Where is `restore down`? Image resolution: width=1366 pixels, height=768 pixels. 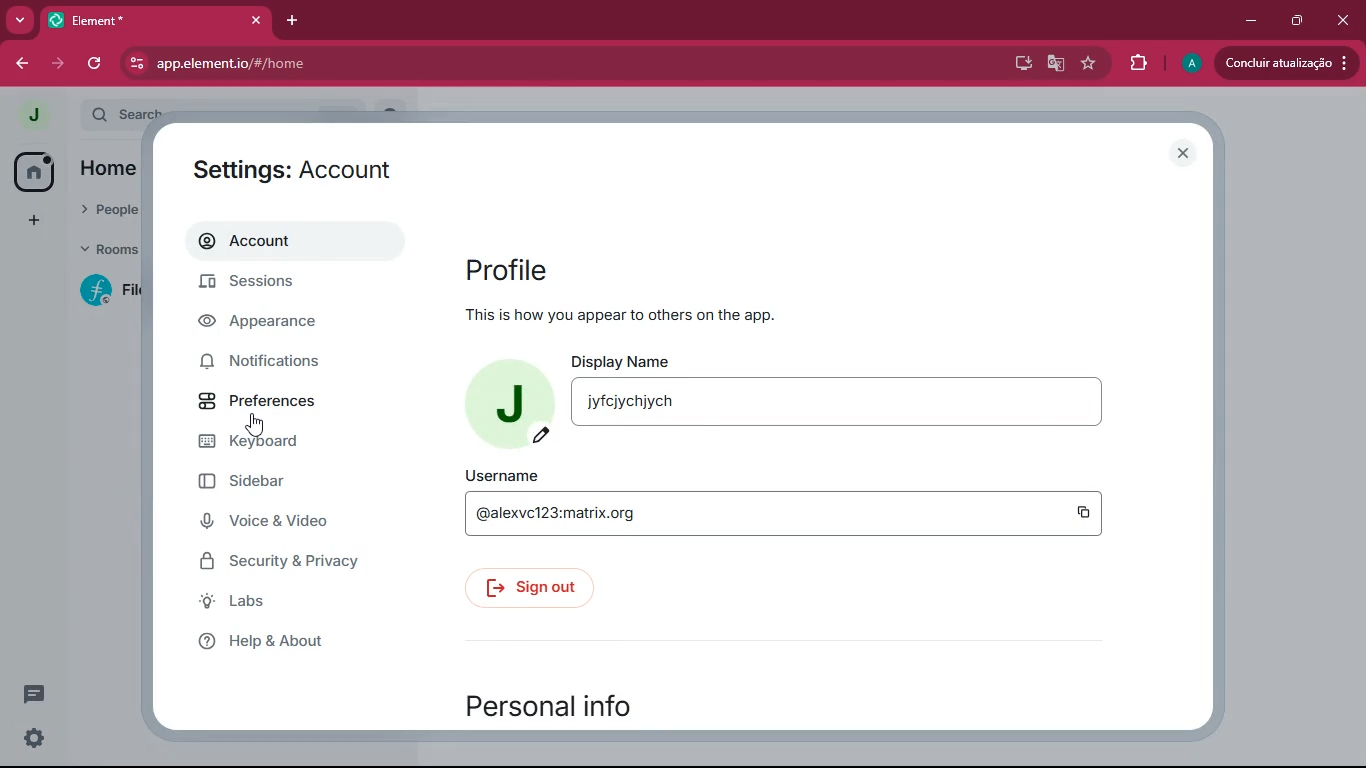 restore down is located at coordinates (1298, 21).